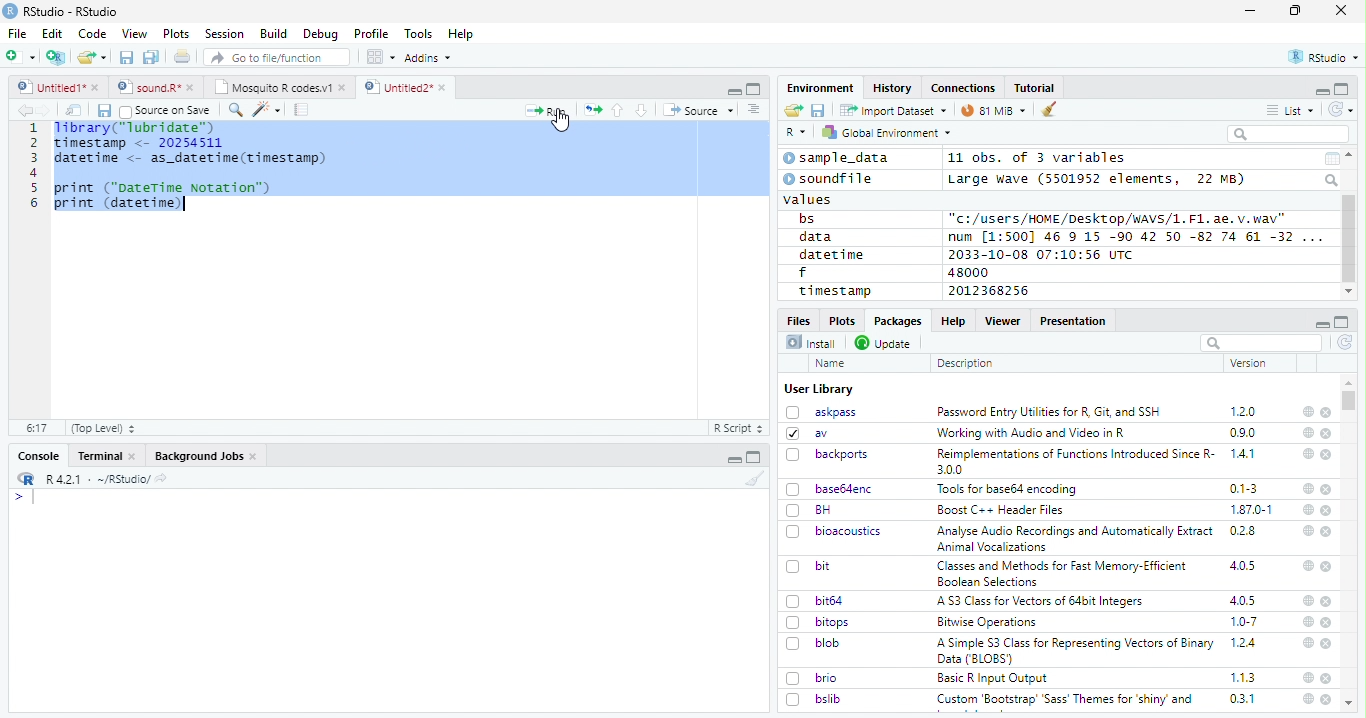  What do you see at coordinates (1327, 623) in the screenshot?
I see `close` at bounding box center [1327, 623].